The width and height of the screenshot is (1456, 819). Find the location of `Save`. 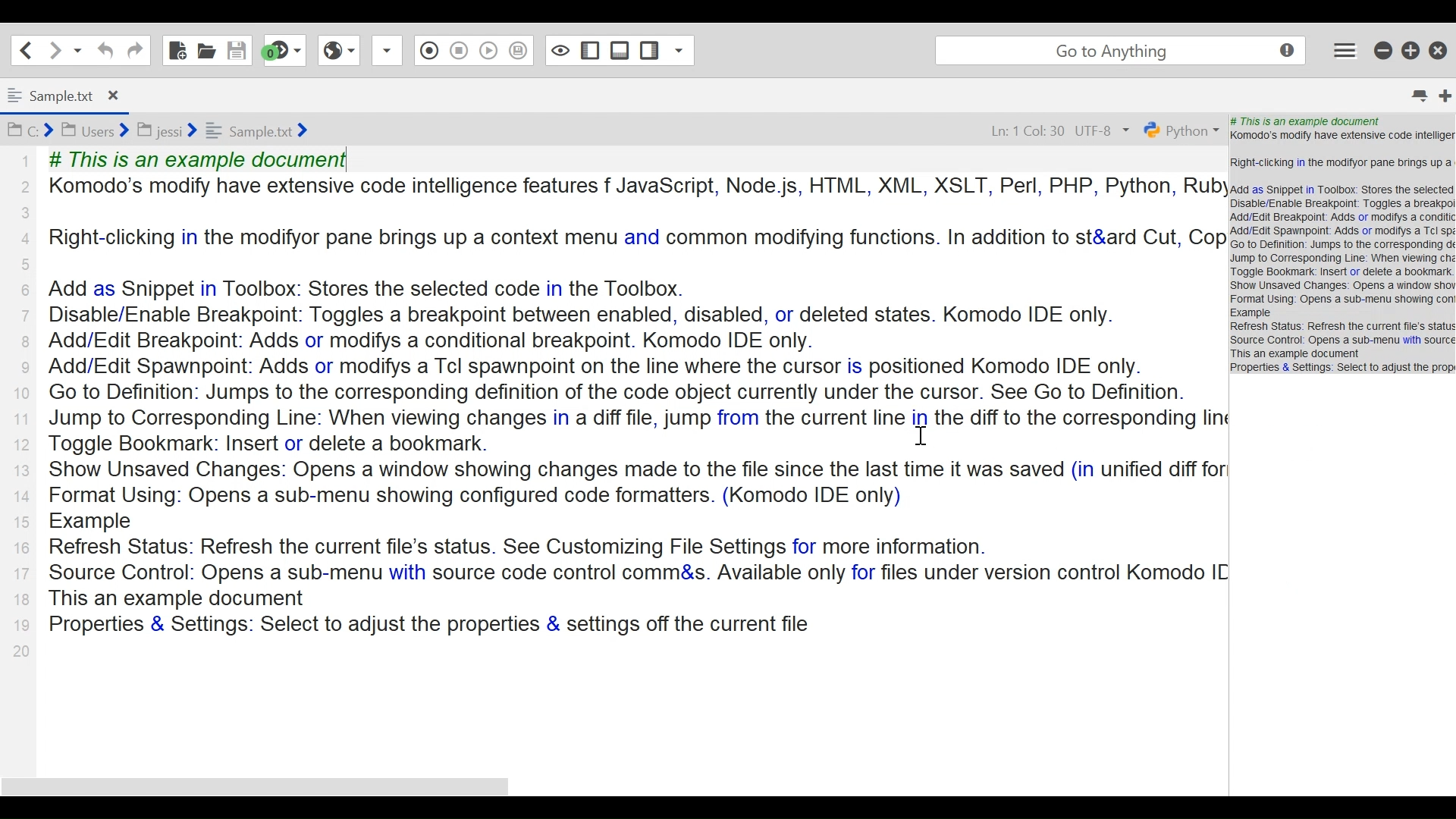

Save is located at coordinates (235, 49).